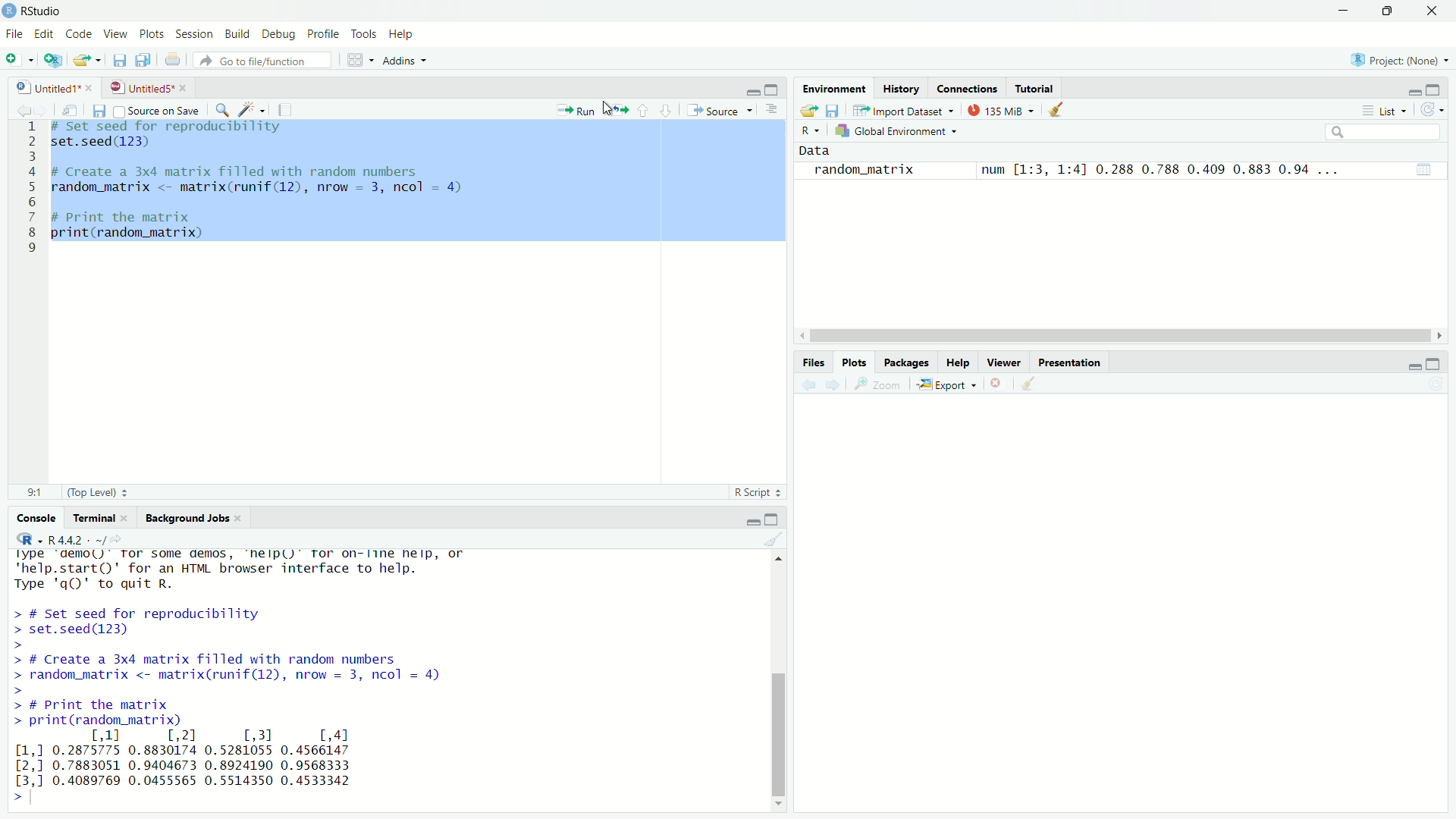 This screenshot has height=819, width=1456. What do you see at coordinates (152, 35) in the screenshot?
I see `Plots` at bounding box center [152, 35].